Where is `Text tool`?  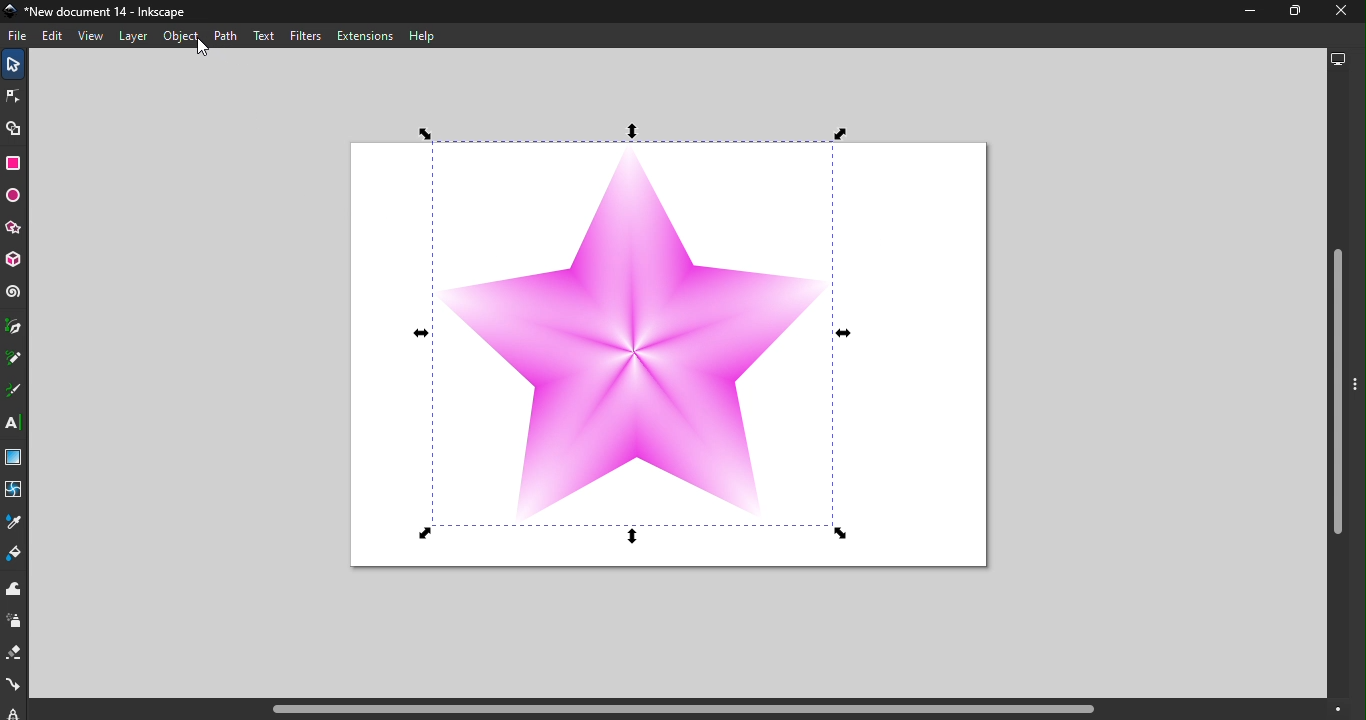 Text tool is located at coordinates (15, 423).